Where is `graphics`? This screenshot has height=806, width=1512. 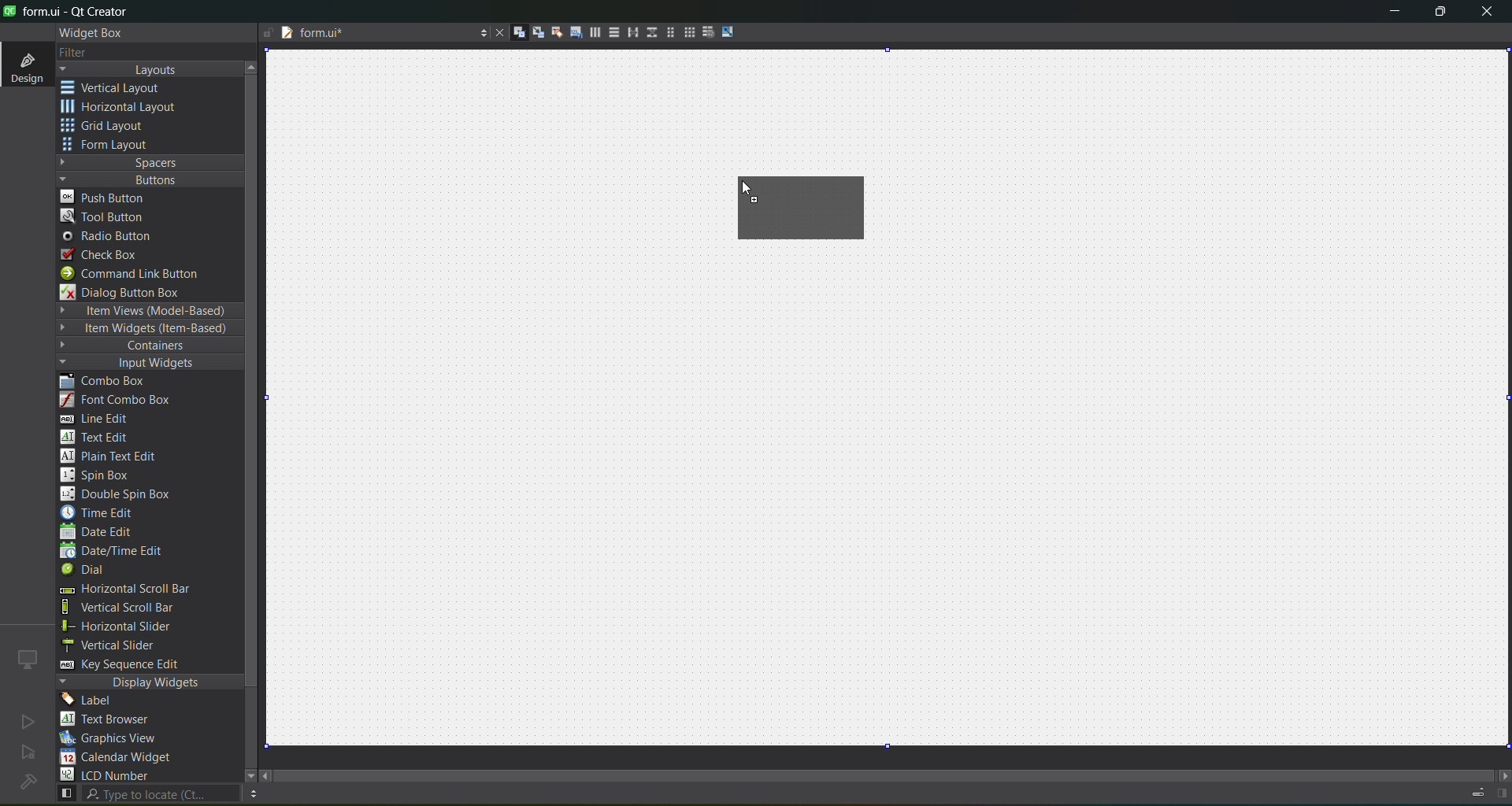 graphics is located at coordinates (115, 738).